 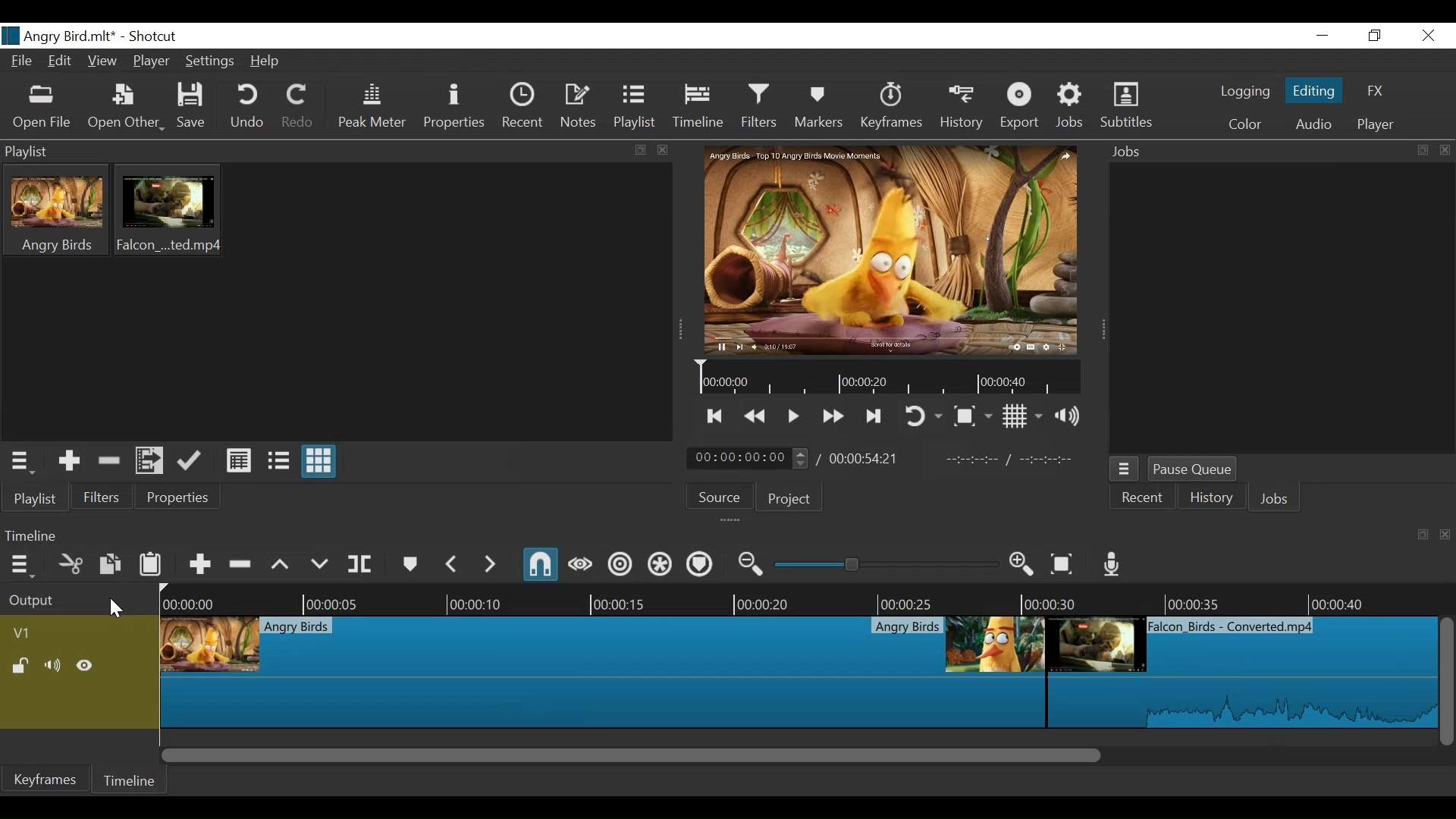 I want to click on View as files, so click(x=277, y=460).